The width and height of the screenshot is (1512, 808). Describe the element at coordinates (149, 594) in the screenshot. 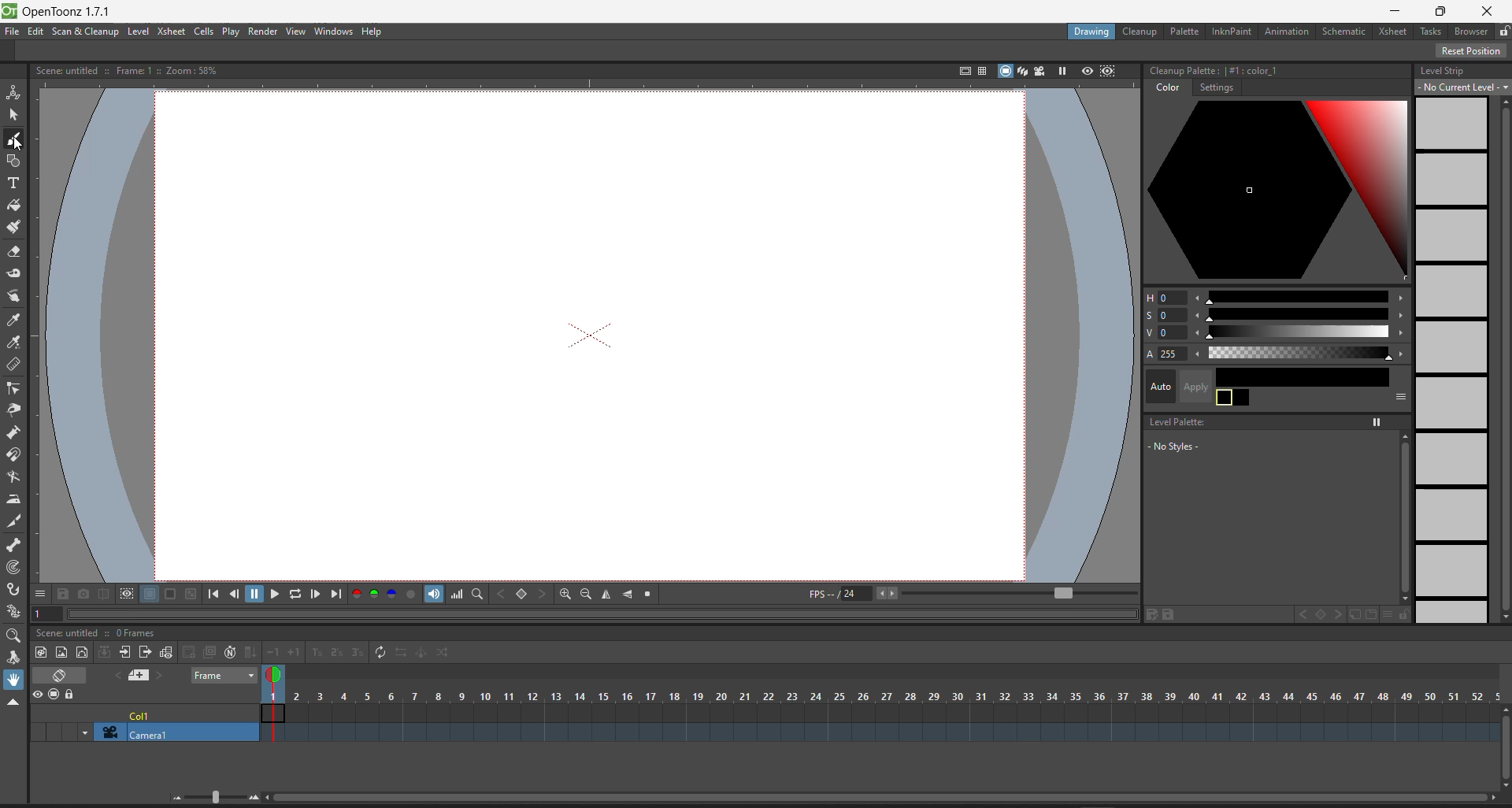

I see `white background` at that location.